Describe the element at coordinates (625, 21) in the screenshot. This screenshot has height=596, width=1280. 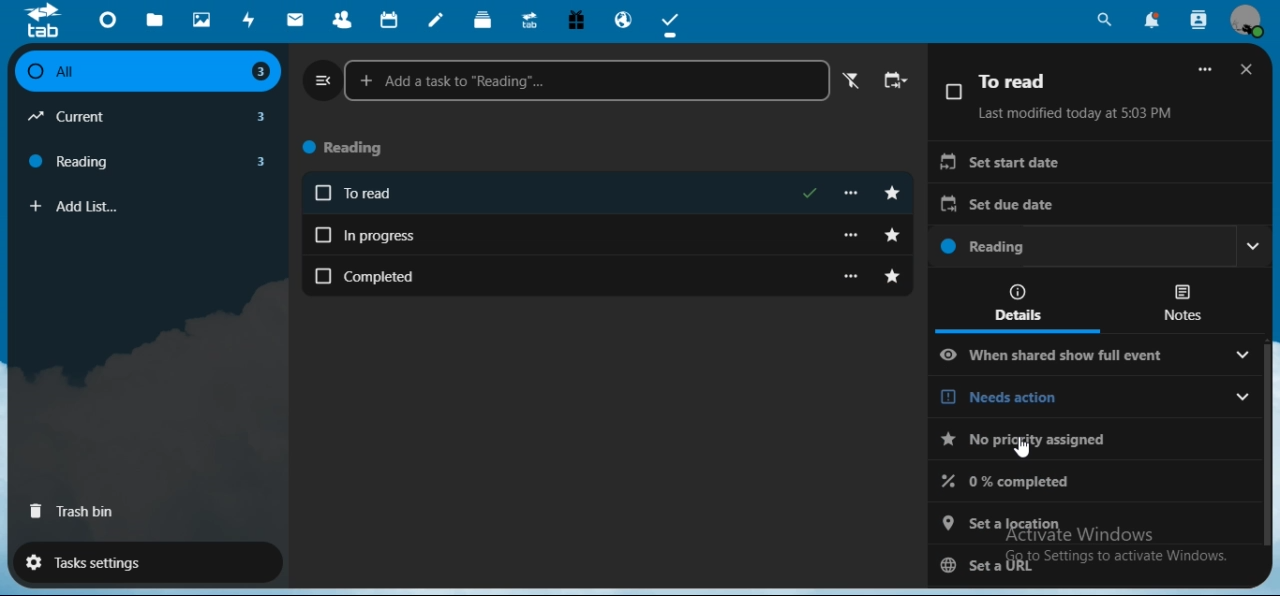
I see `email hosting` at that location.